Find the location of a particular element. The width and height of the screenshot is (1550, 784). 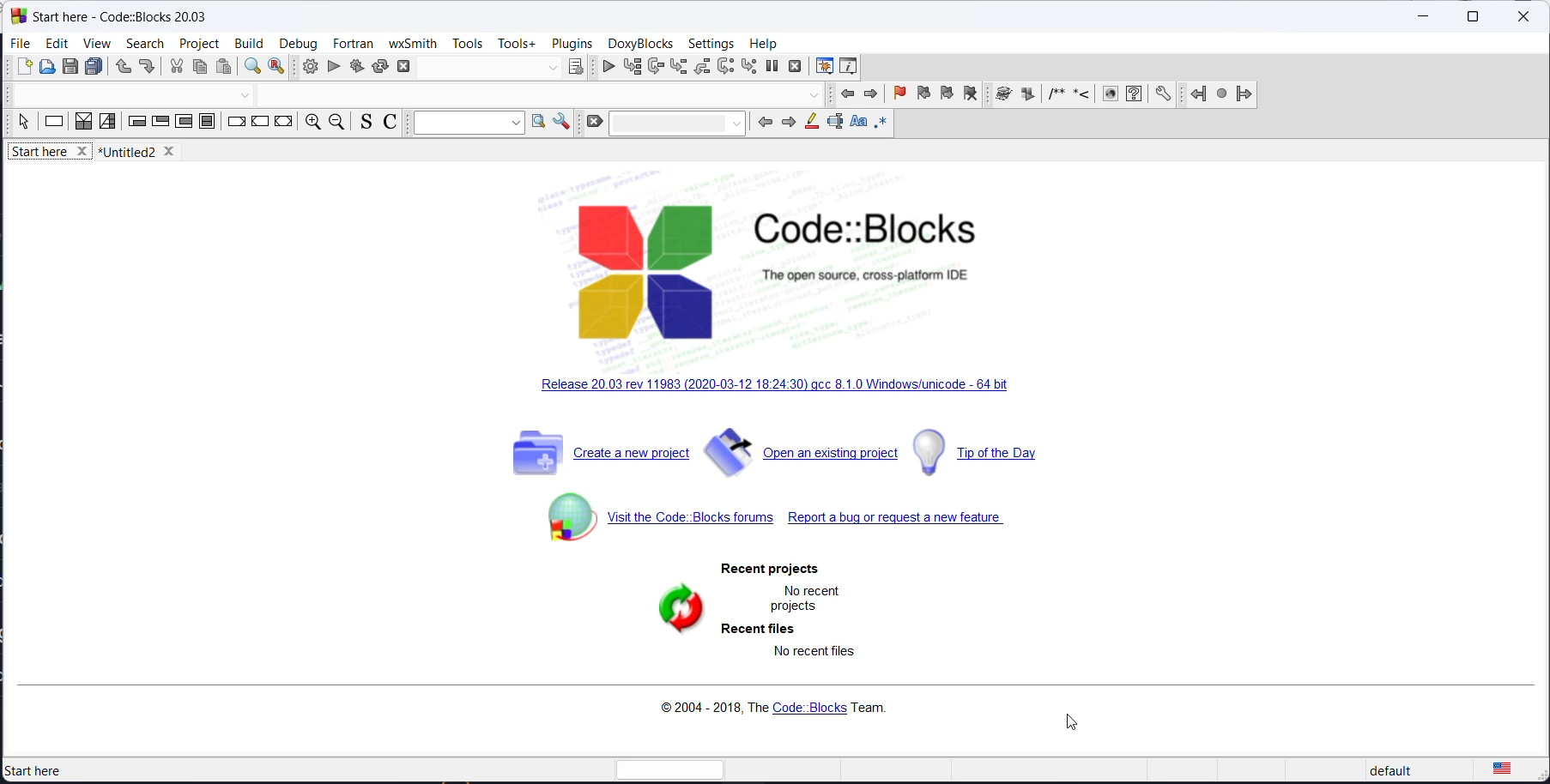

decision is located at coordinates (84, 123).